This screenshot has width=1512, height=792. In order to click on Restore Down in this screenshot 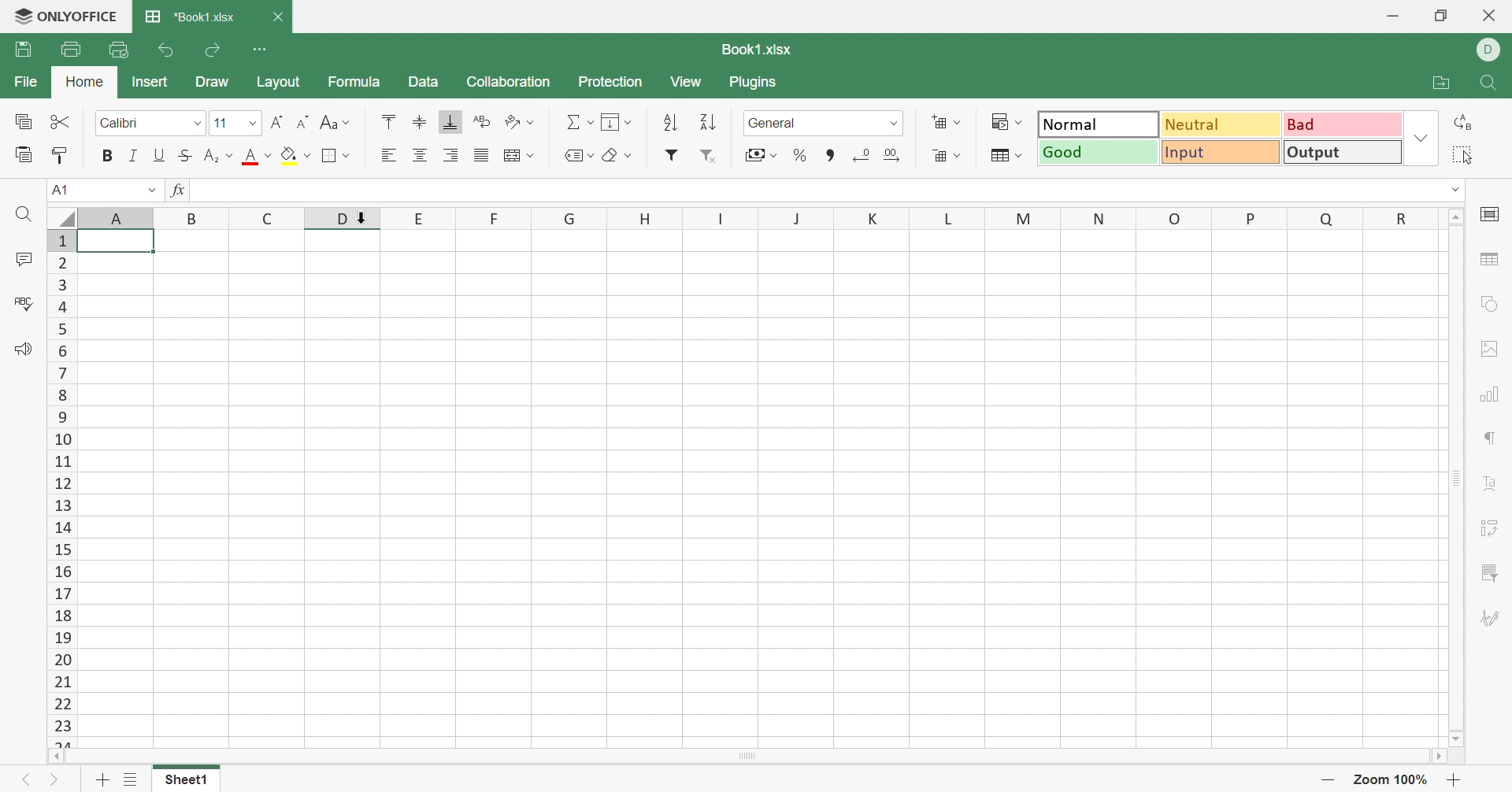, I will do `click(1442, 16)`.